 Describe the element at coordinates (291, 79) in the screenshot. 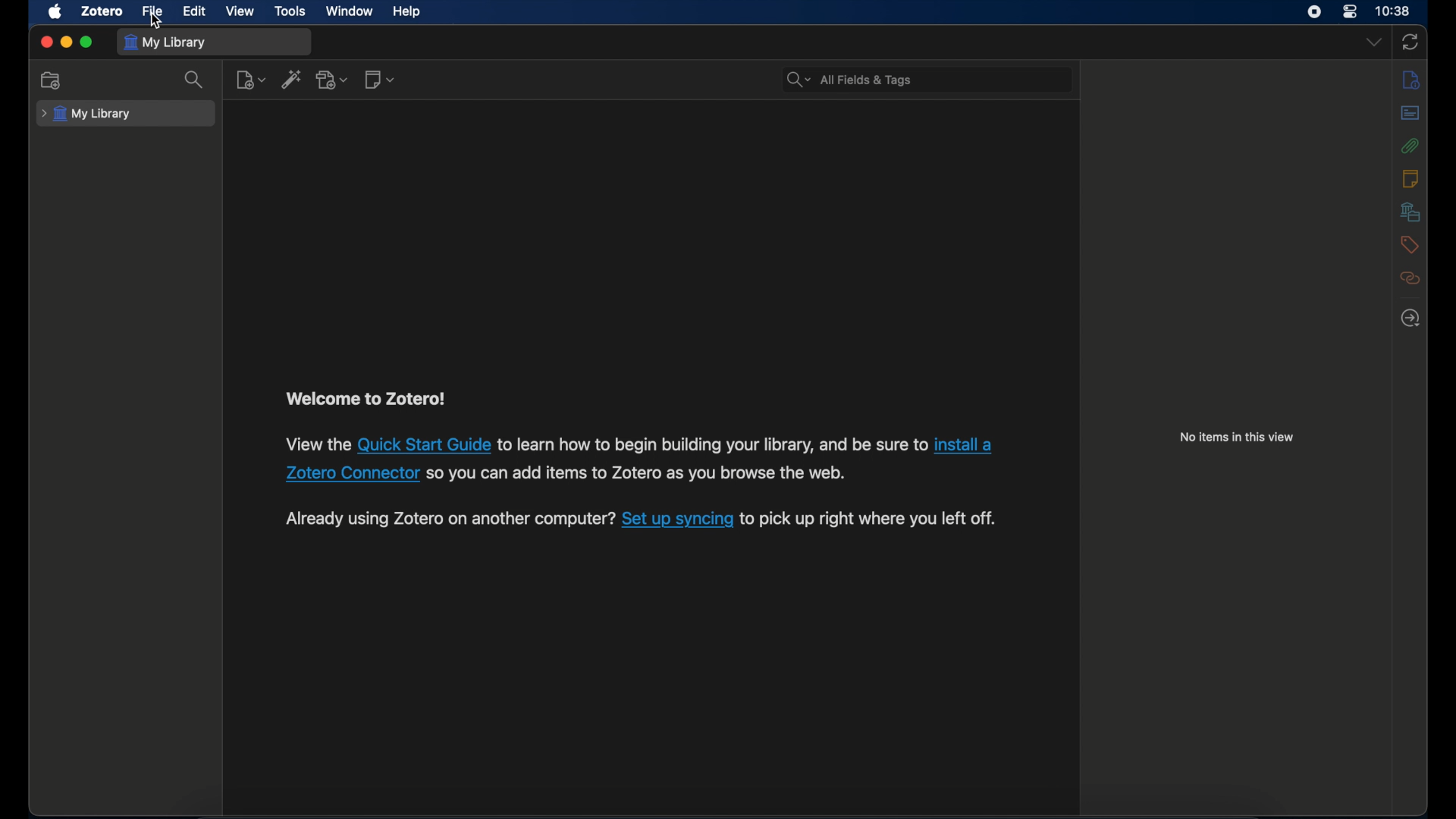

I see `add item by identifier` at that location.